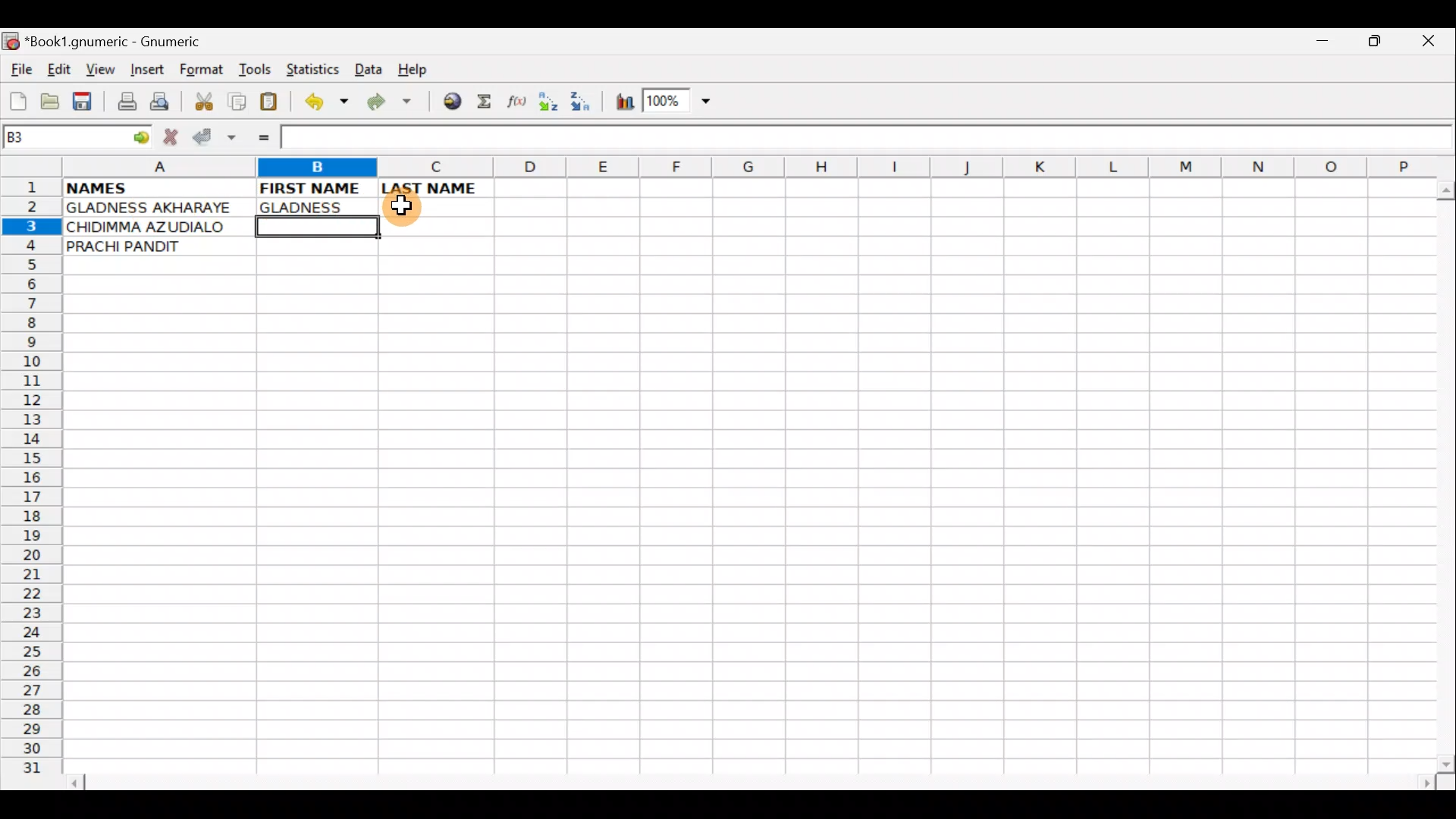  I want to click on Cell name B3, so click(61, 138).